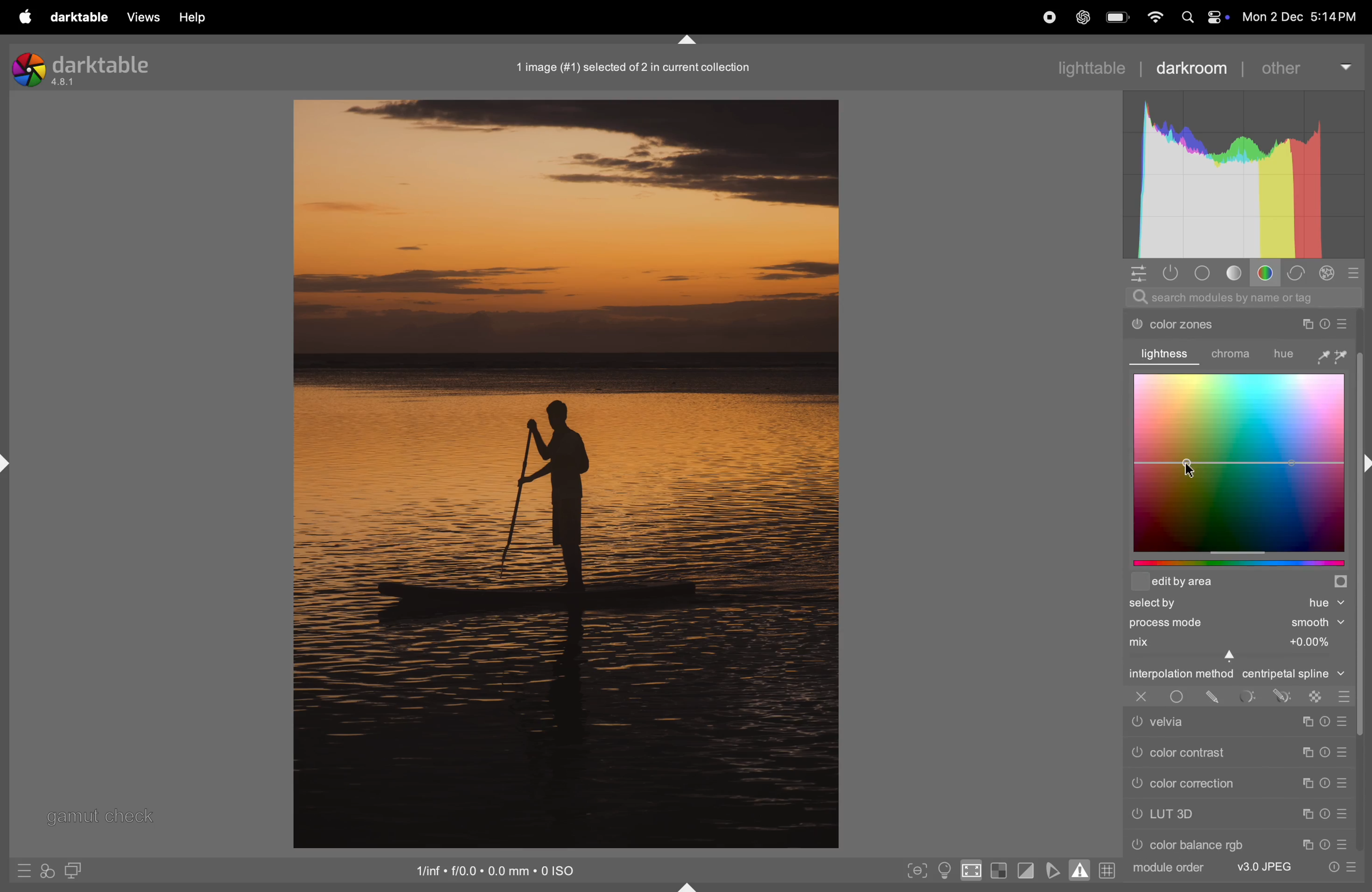  I want to click on views, so click(145, 18).